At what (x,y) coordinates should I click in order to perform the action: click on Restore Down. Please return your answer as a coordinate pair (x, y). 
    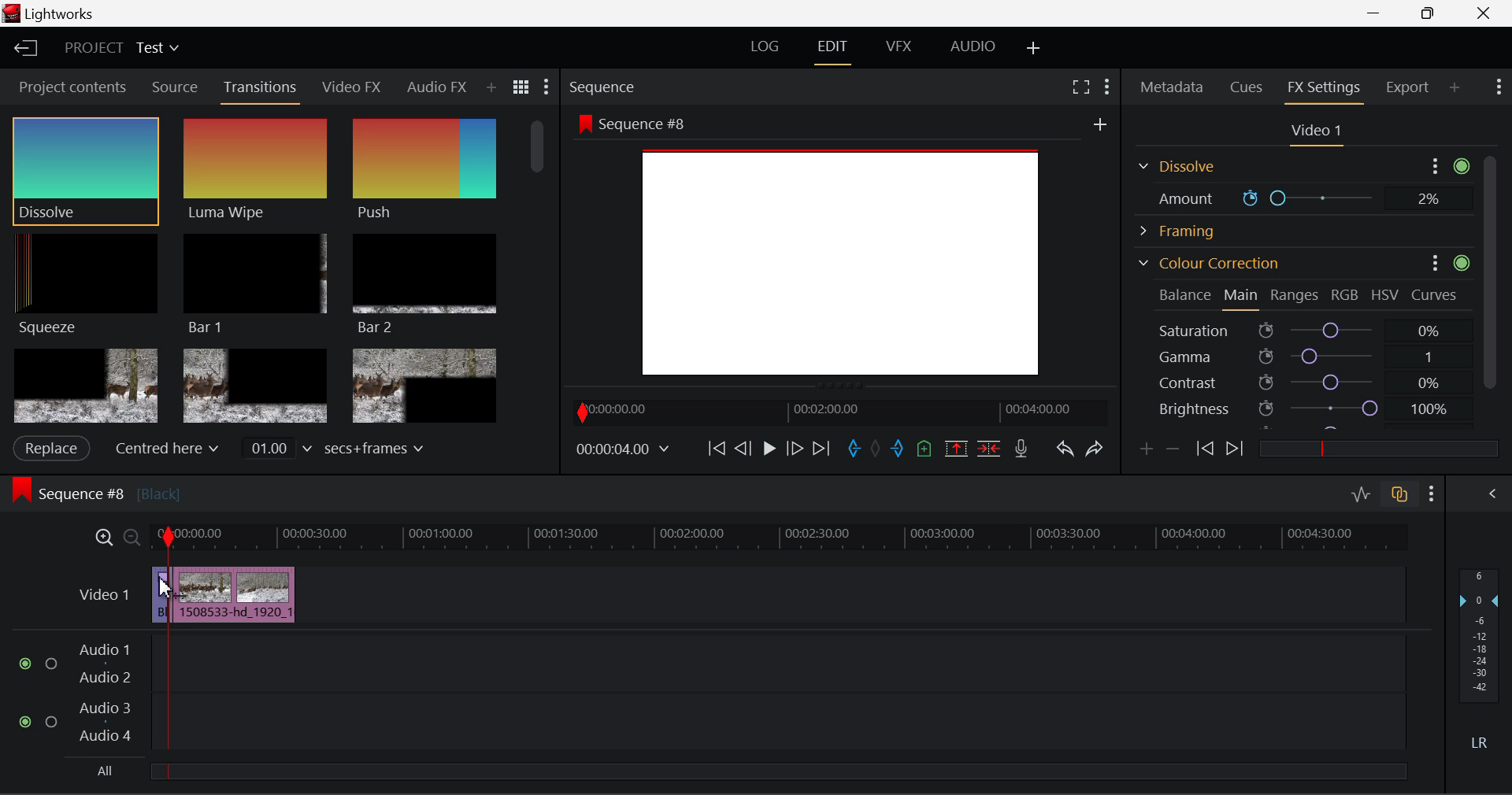
    Looking at the image, I should click on (1379, 13).